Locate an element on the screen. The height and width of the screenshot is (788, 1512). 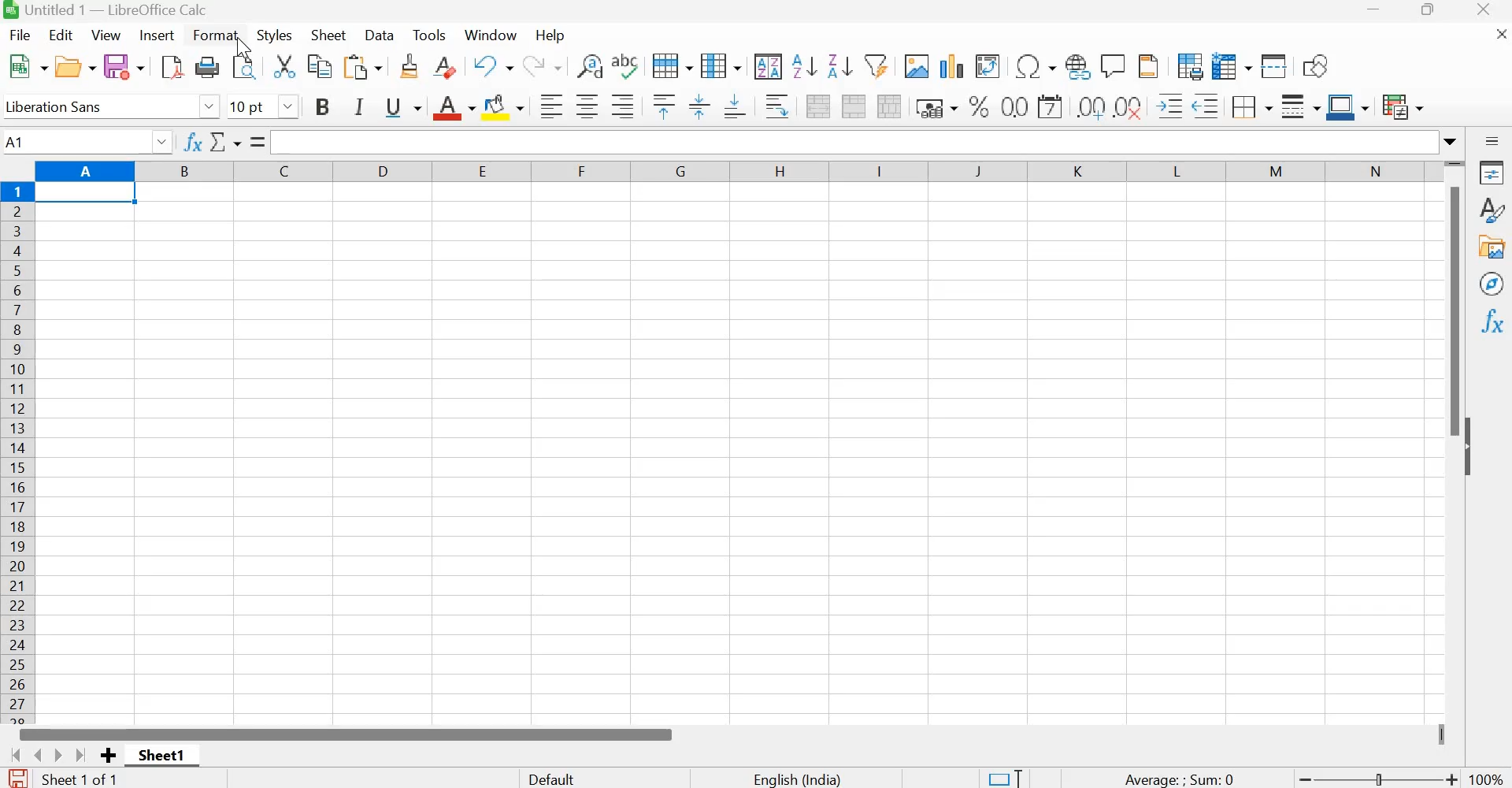
Borders is located at coordinates (1250, 106).